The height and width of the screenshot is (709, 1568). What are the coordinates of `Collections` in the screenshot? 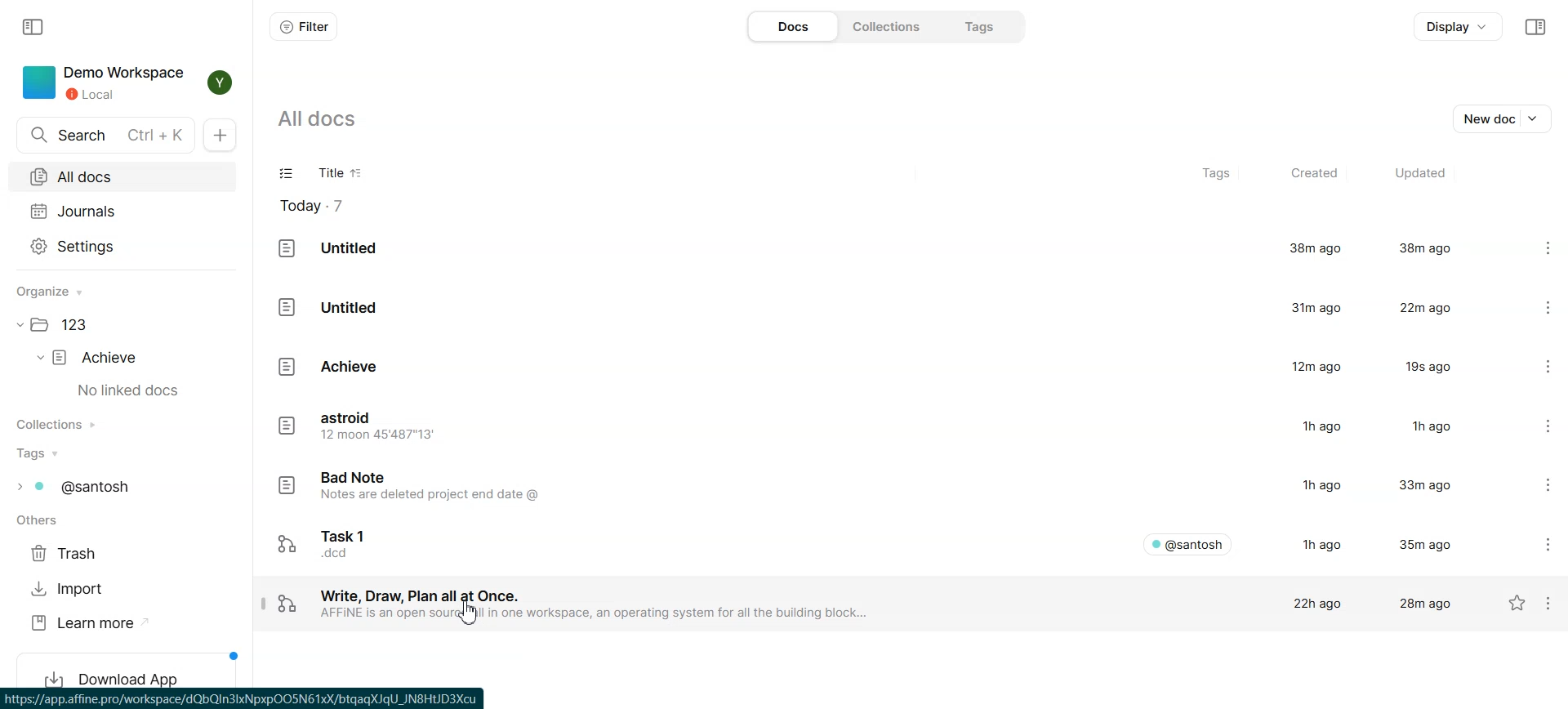 It's located at (63, 424).